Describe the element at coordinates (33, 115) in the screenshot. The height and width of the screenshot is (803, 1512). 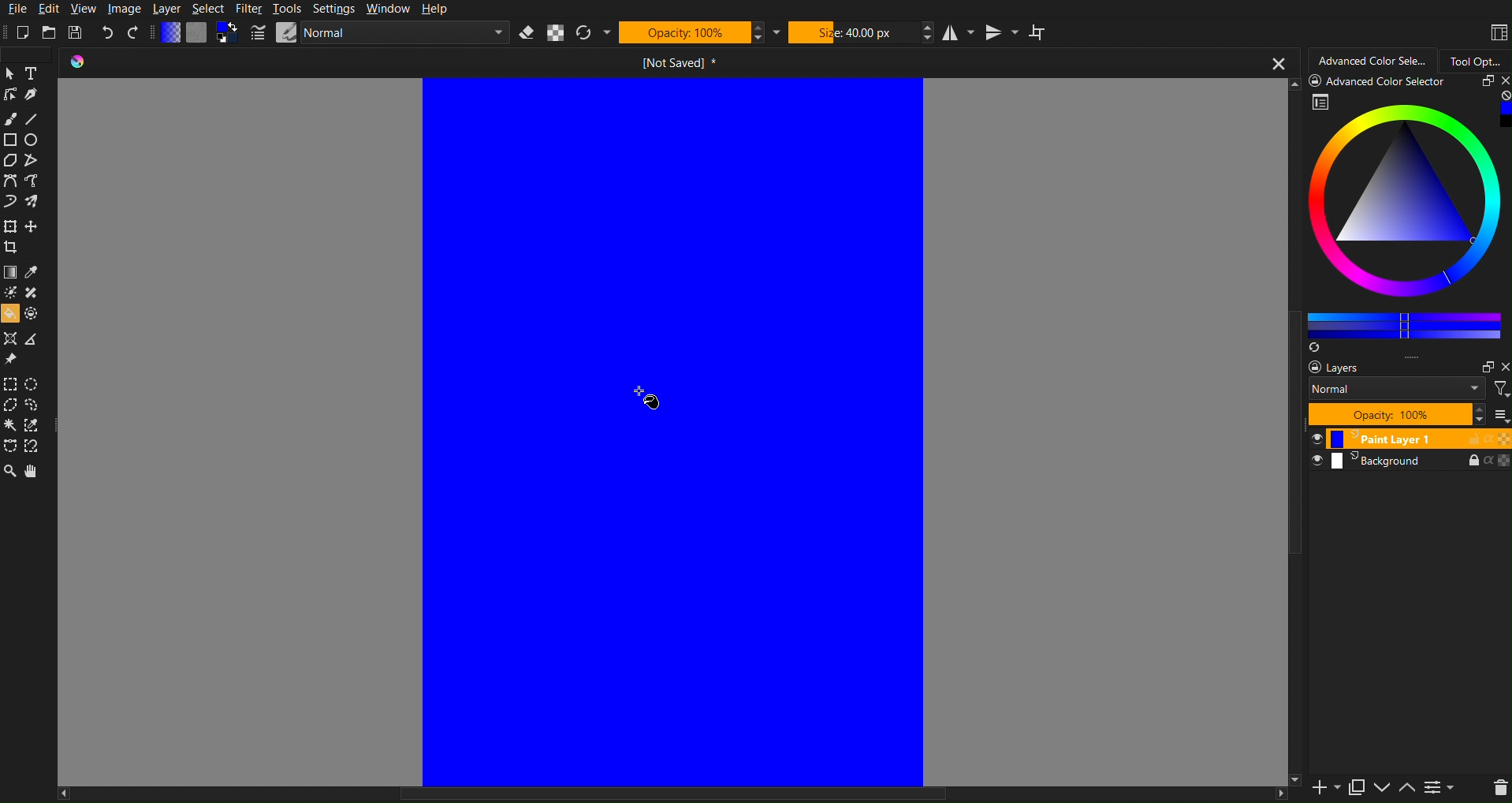
I see `Line` at that location.